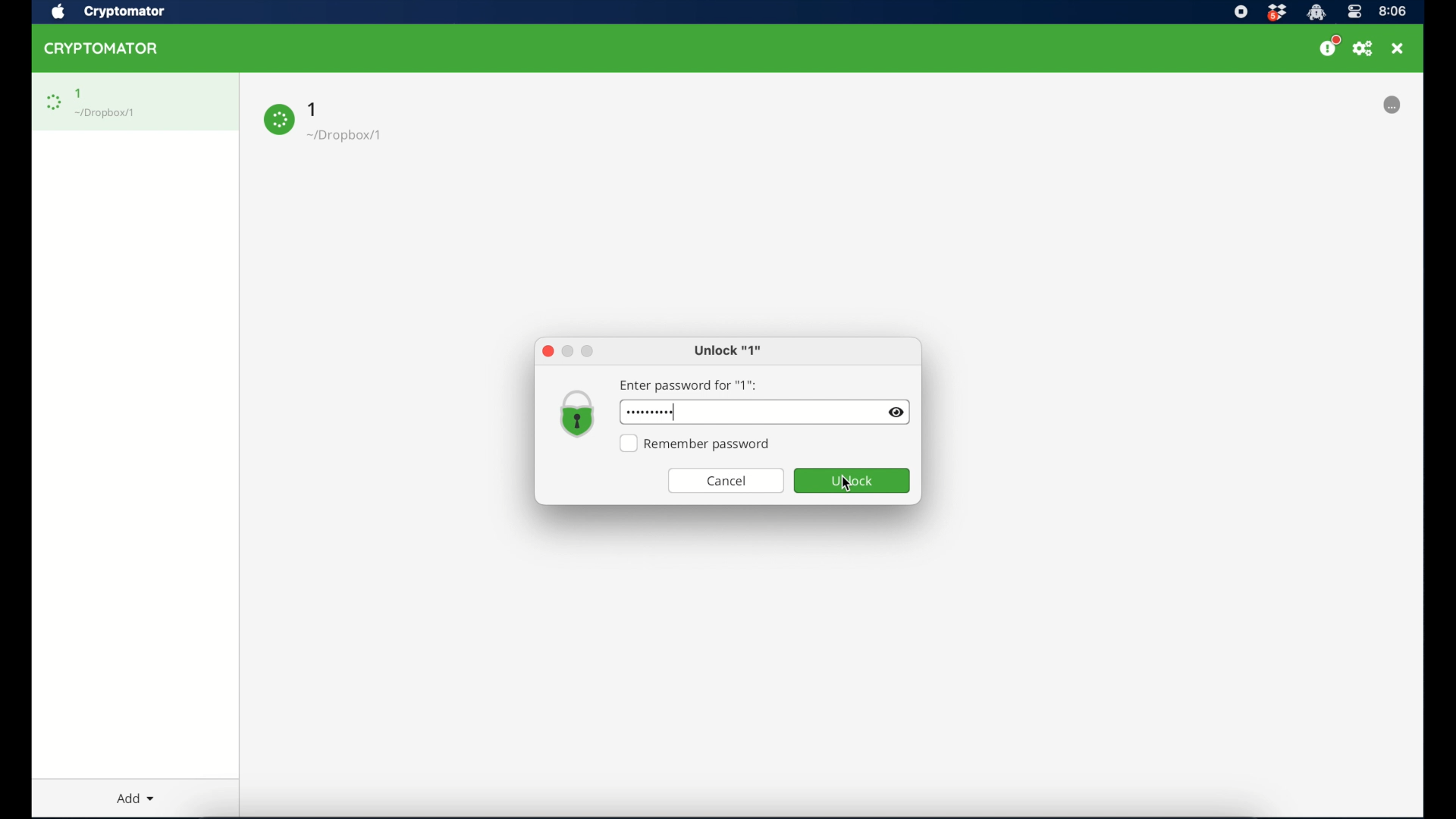 This screenshot has height=819, width=1456. What do you see at coordinates (278, 121) in the screenshot?
I see `loading` at bounding box center [278, 121].